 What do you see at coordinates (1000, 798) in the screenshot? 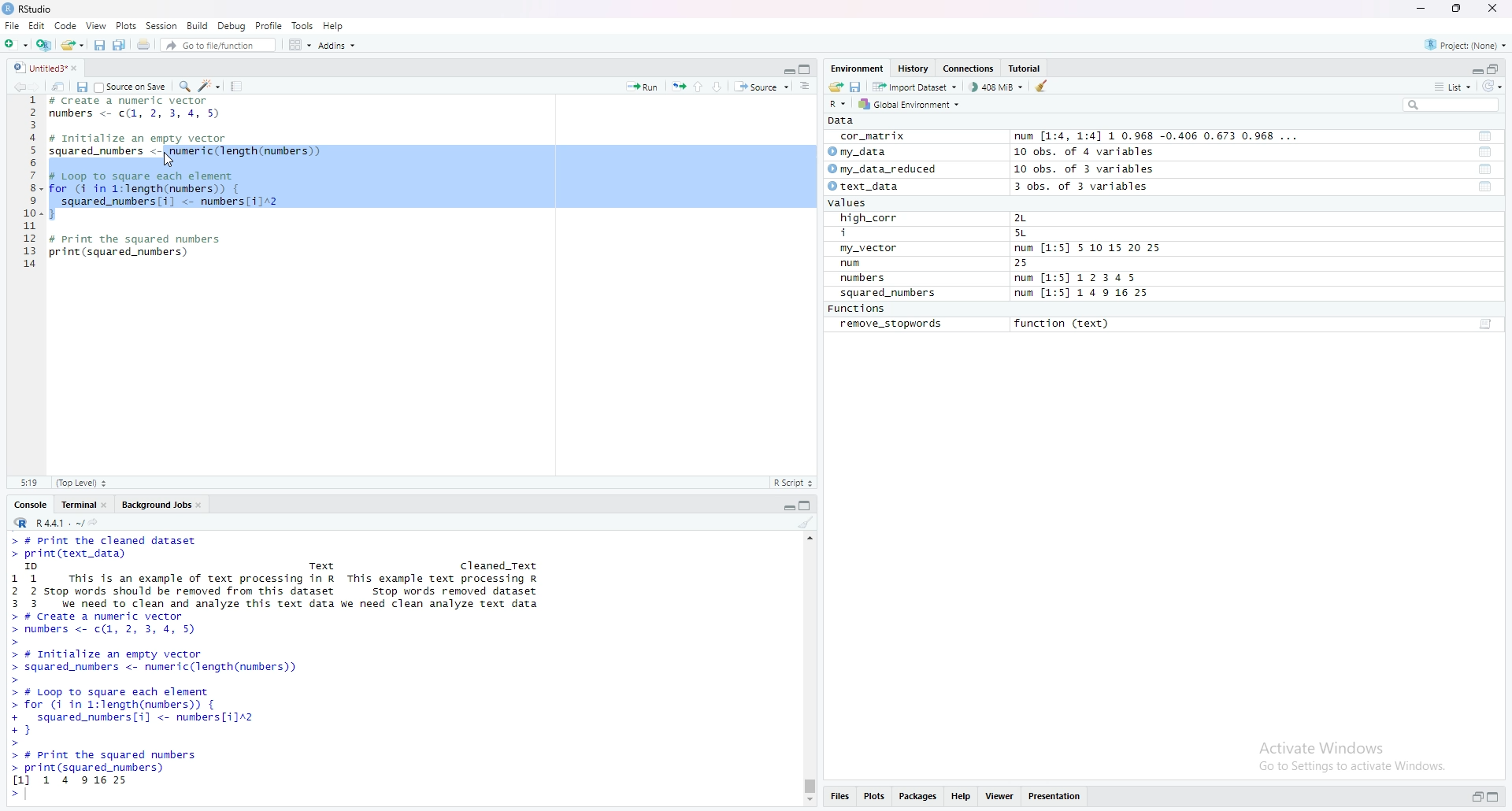
I see `Viewer` at bounding box center [1000, 798].